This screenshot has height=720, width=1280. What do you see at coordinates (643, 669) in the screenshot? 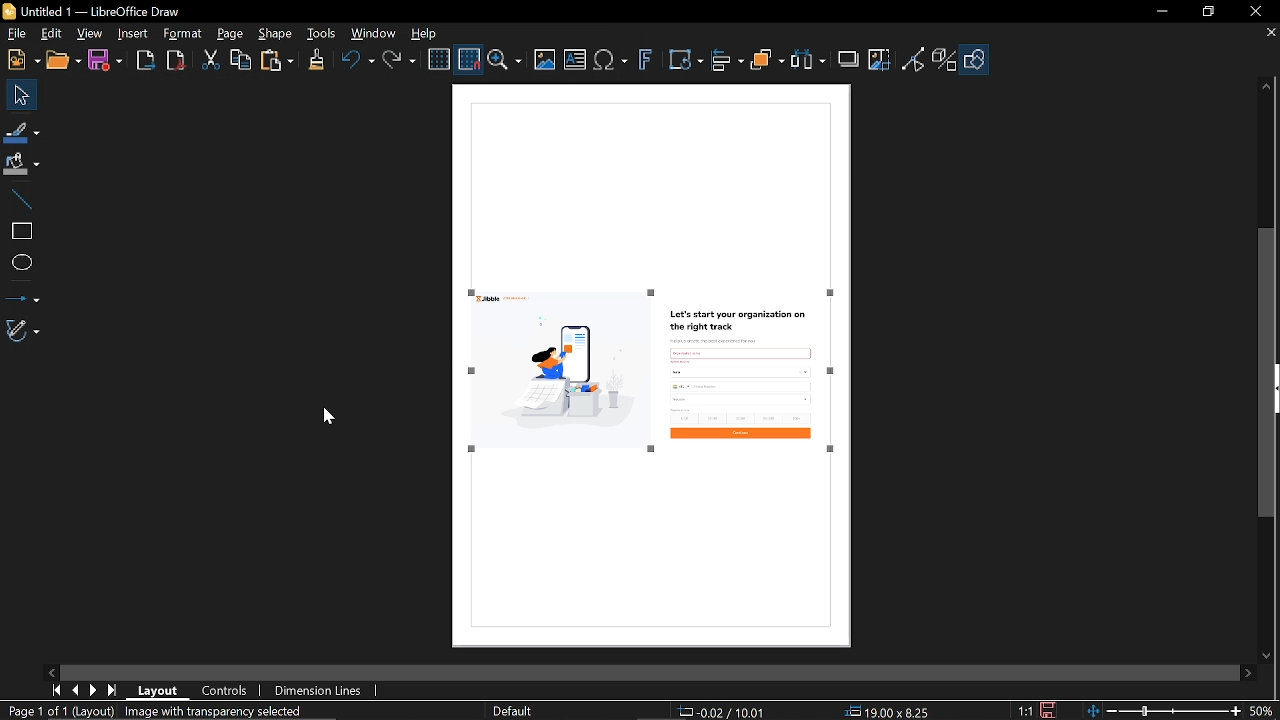
I see `horizontal slider` at bounding box center [643, 669].